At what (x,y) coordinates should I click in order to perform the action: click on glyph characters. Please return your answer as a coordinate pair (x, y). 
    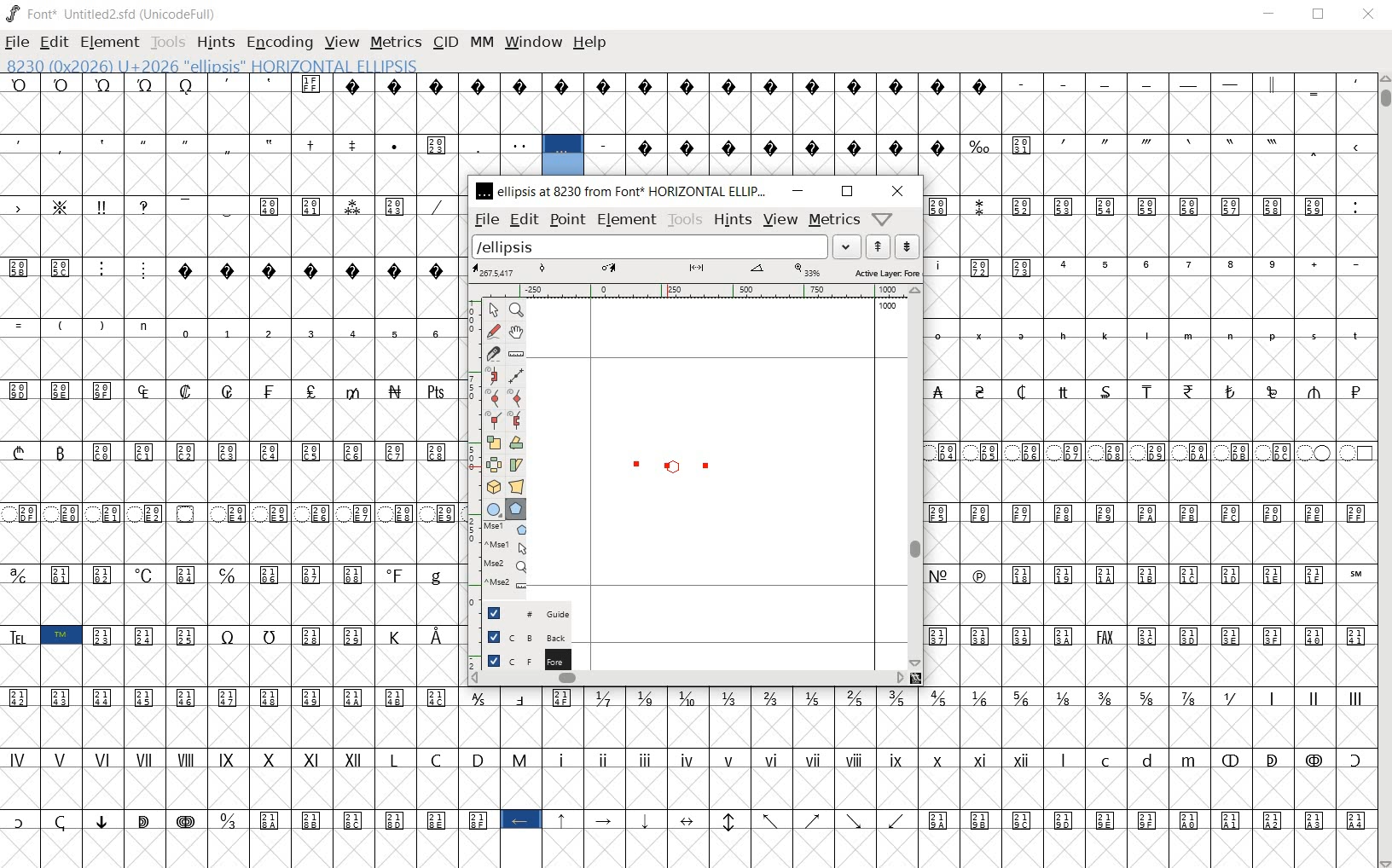
    Looking at the image, I should click on (1148, 438).